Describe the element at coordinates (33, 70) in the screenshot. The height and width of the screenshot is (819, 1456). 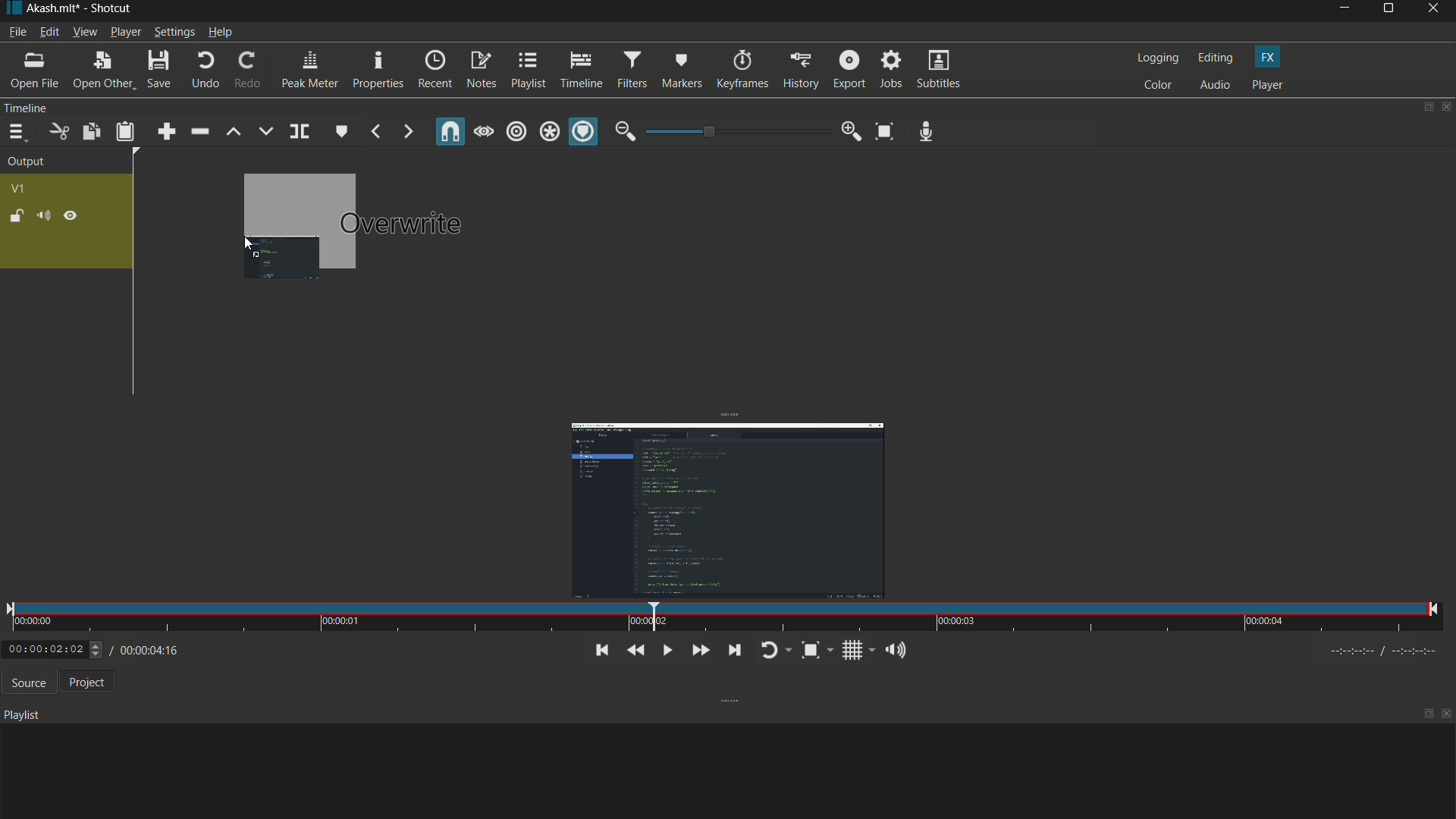
I see `open file` at that location.